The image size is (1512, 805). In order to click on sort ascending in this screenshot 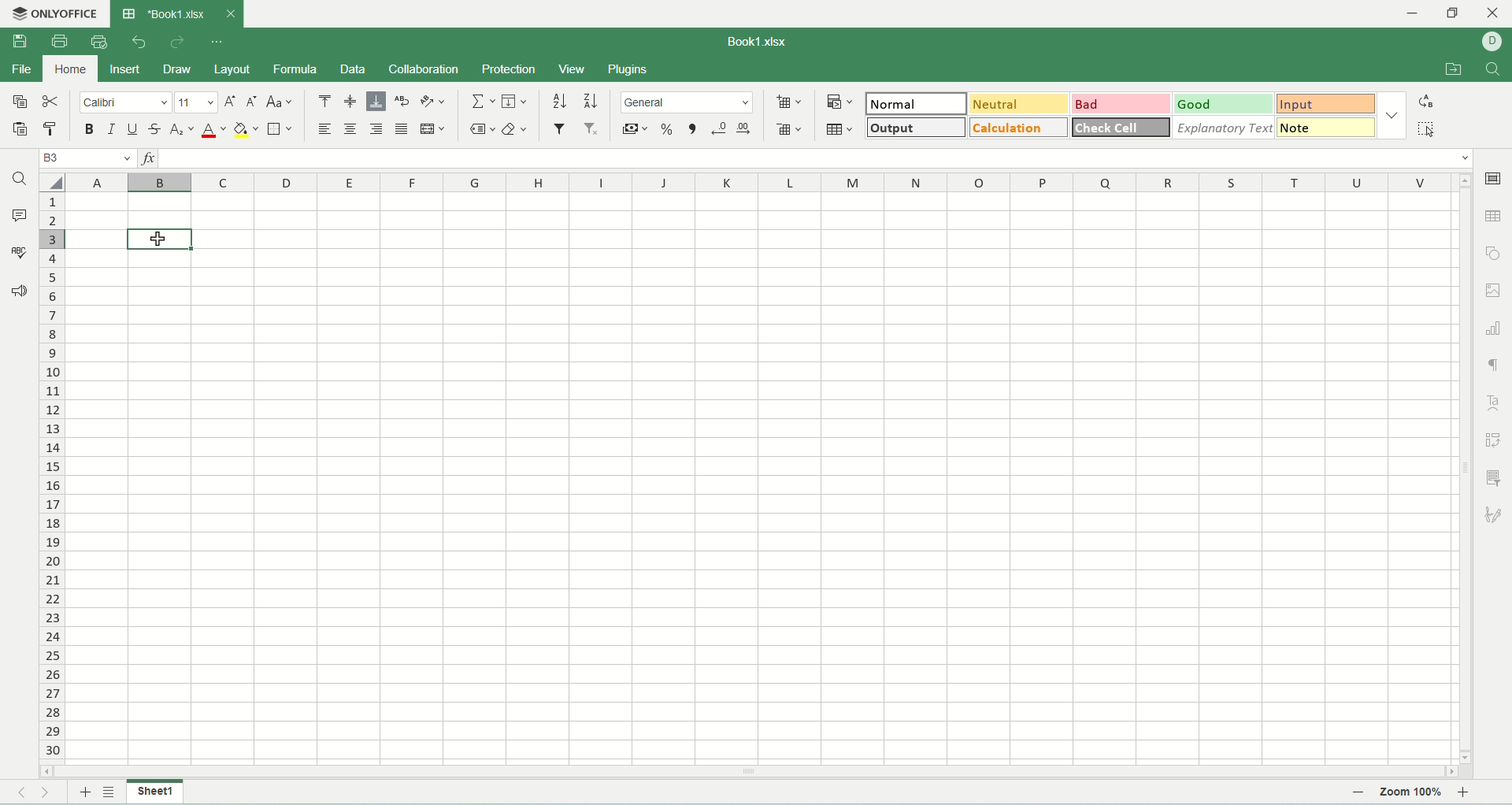, I will do `click(561, 99)`.